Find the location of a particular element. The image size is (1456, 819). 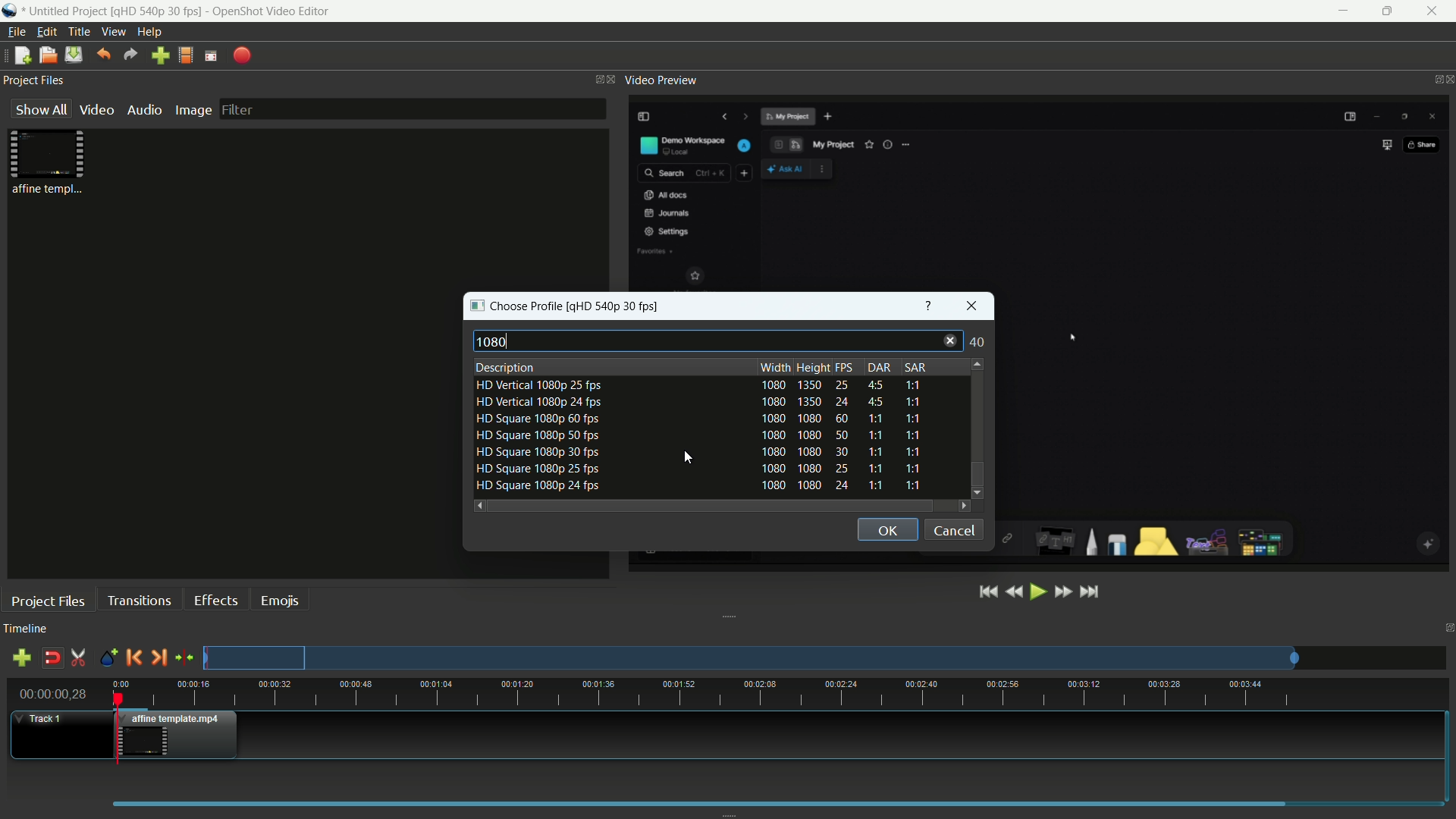

close project files is located at coordinates (612, 80).